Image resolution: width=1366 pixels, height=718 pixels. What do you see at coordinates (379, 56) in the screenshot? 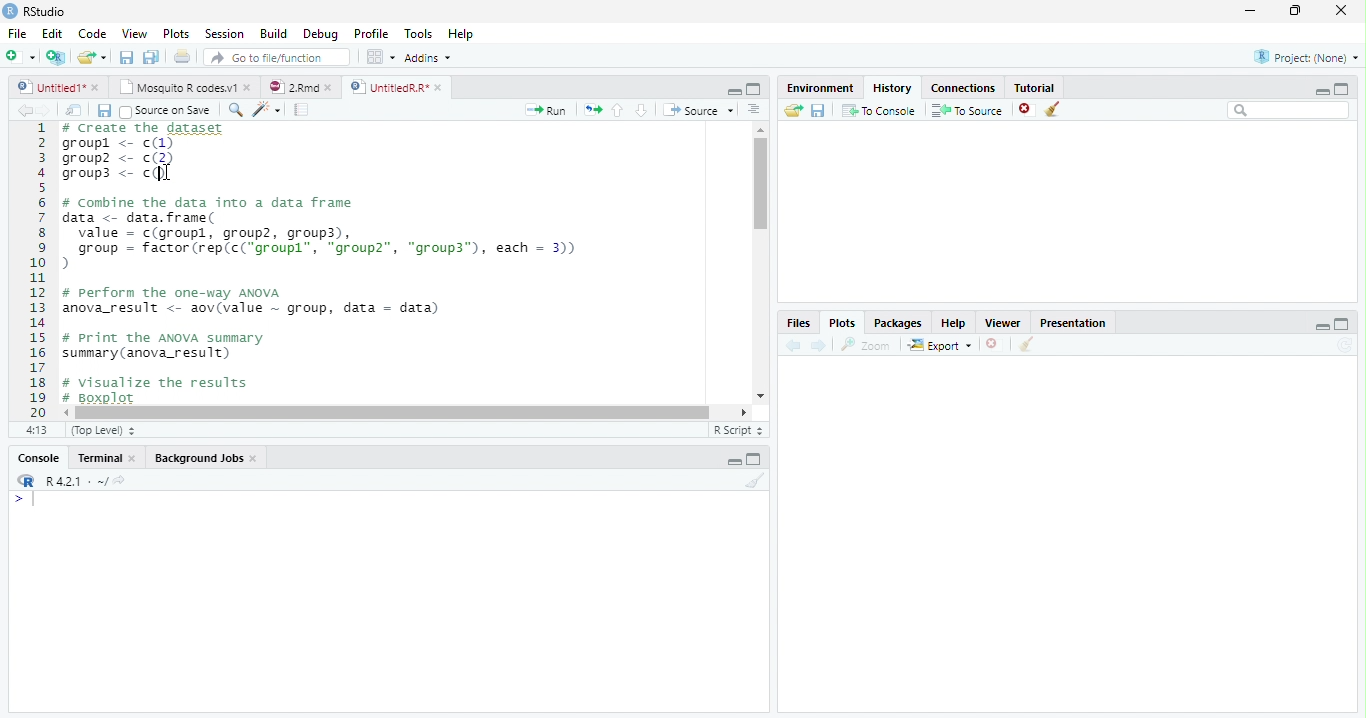
I see `Workspace pane` at bounding box center [379, 56].